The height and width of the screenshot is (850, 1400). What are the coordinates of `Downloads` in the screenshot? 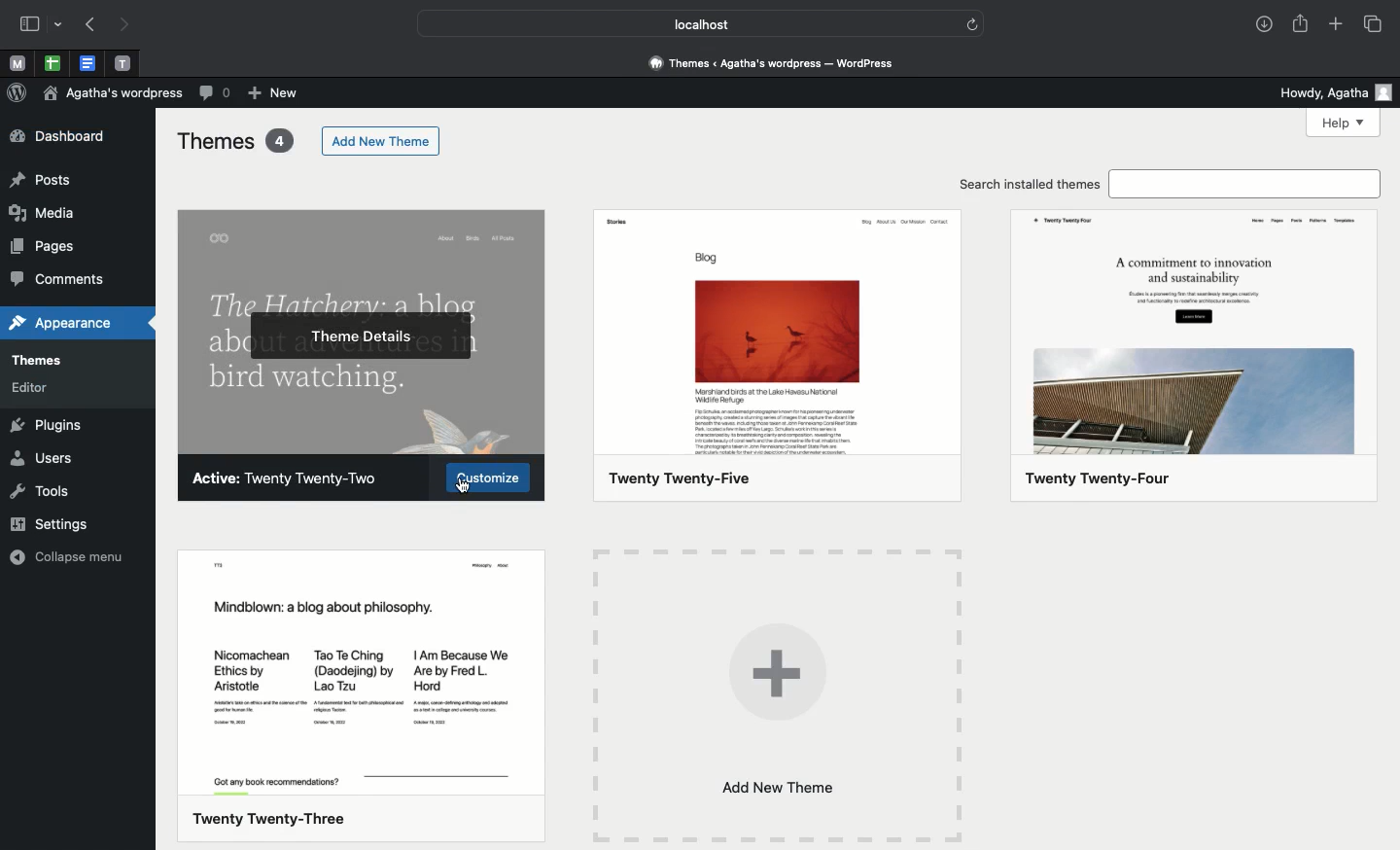 It's located at (1266, 26).